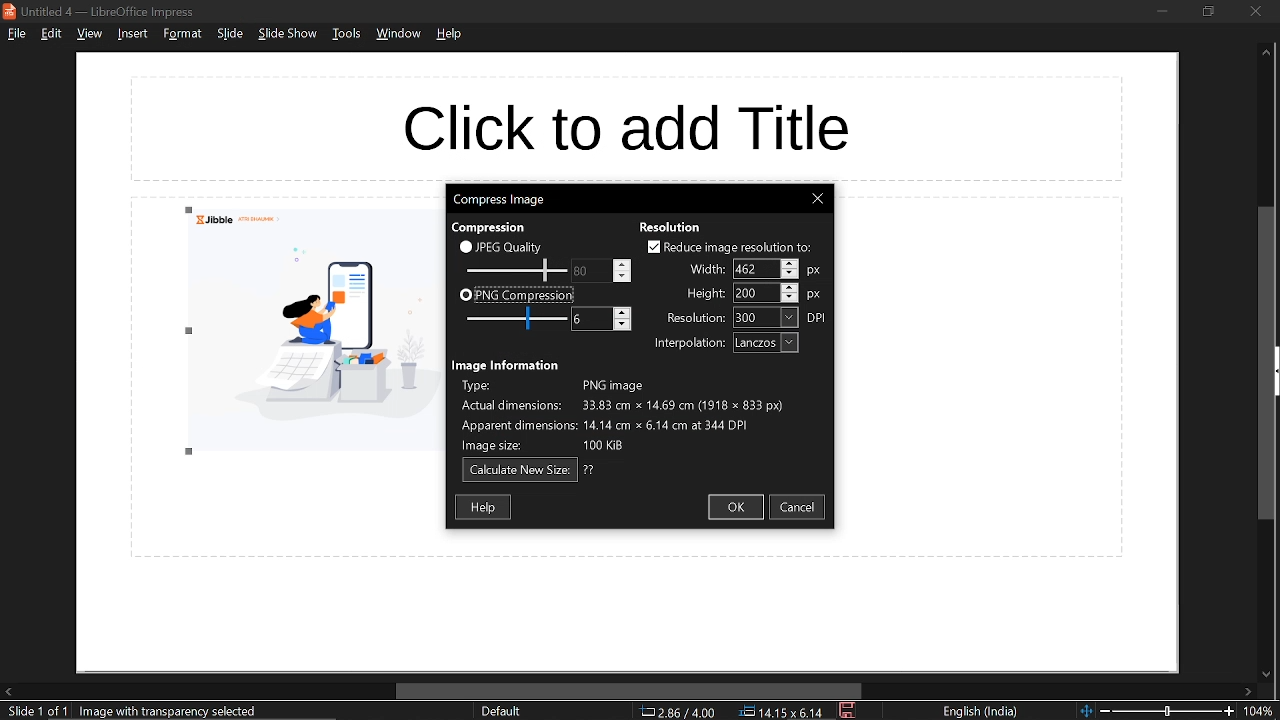  What do you see at coordinates (622, 264) in the screenshot?
I see `increase jpeg quality` at bounding box center [622, 264].